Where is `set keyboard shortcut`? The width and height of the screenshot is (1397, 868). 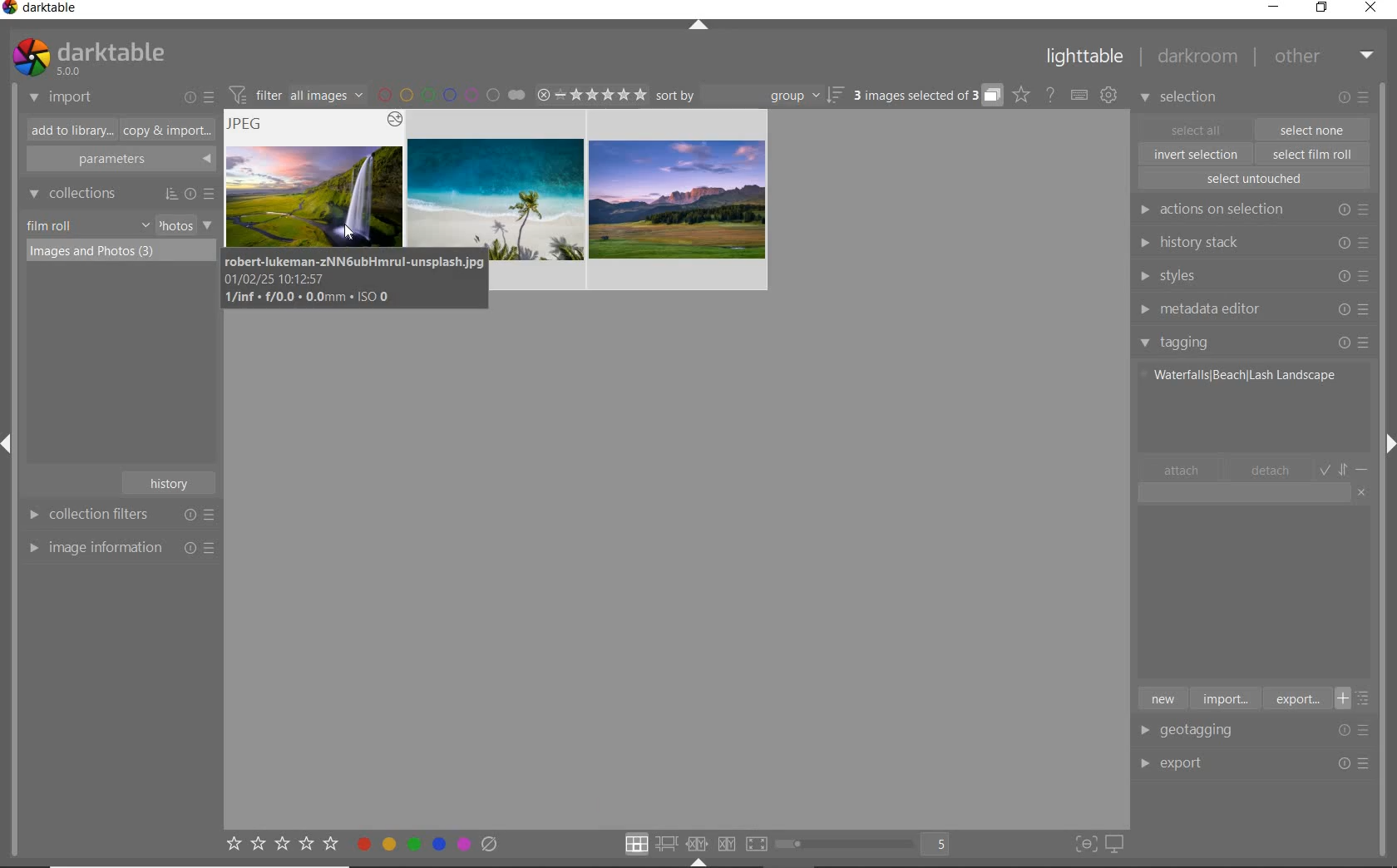 set keyboard shortcut is located at coordinates (1079, 96).